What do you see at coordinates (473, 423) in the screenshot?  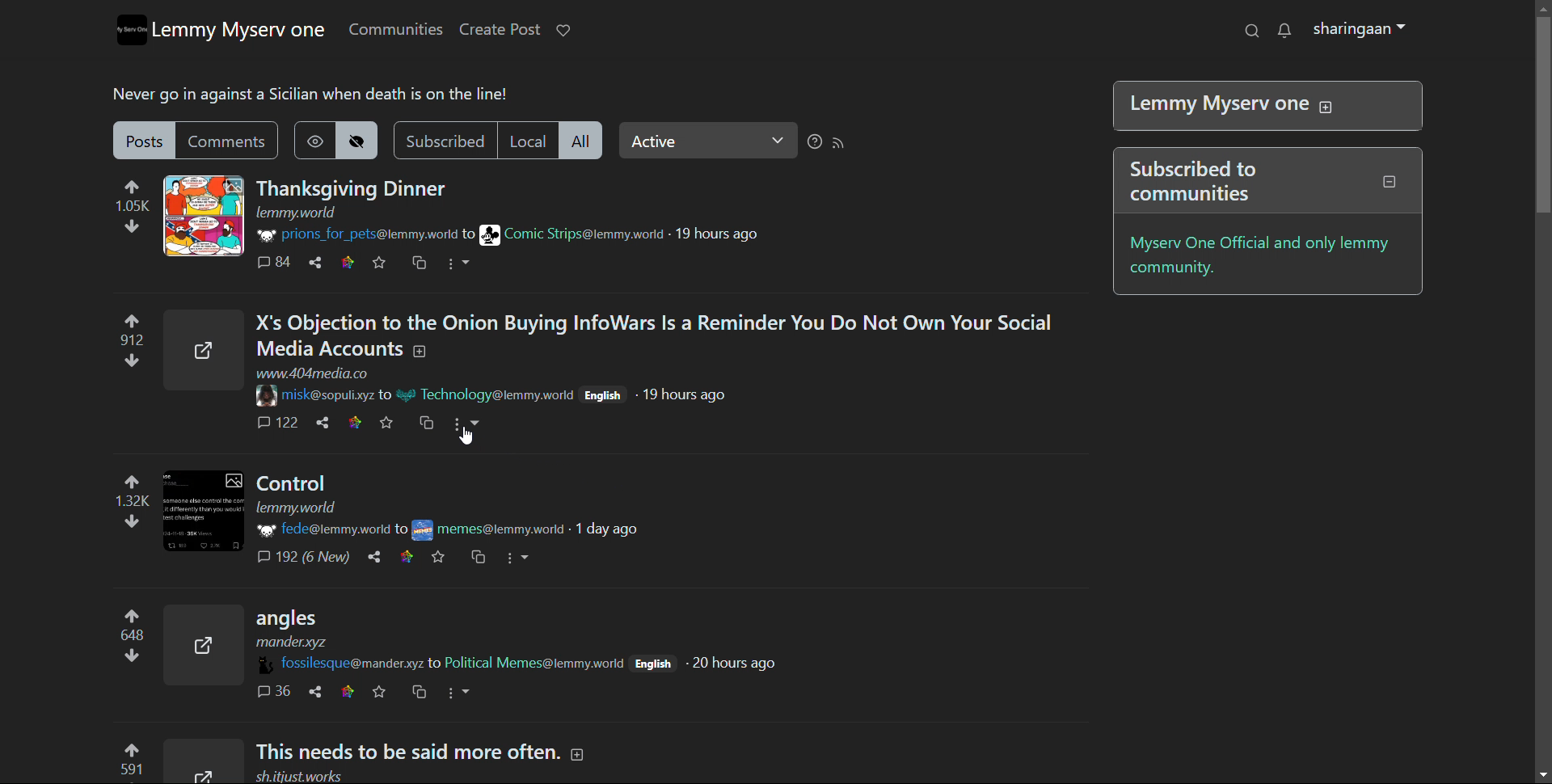 I see `More` at bounding box center [473, 423].